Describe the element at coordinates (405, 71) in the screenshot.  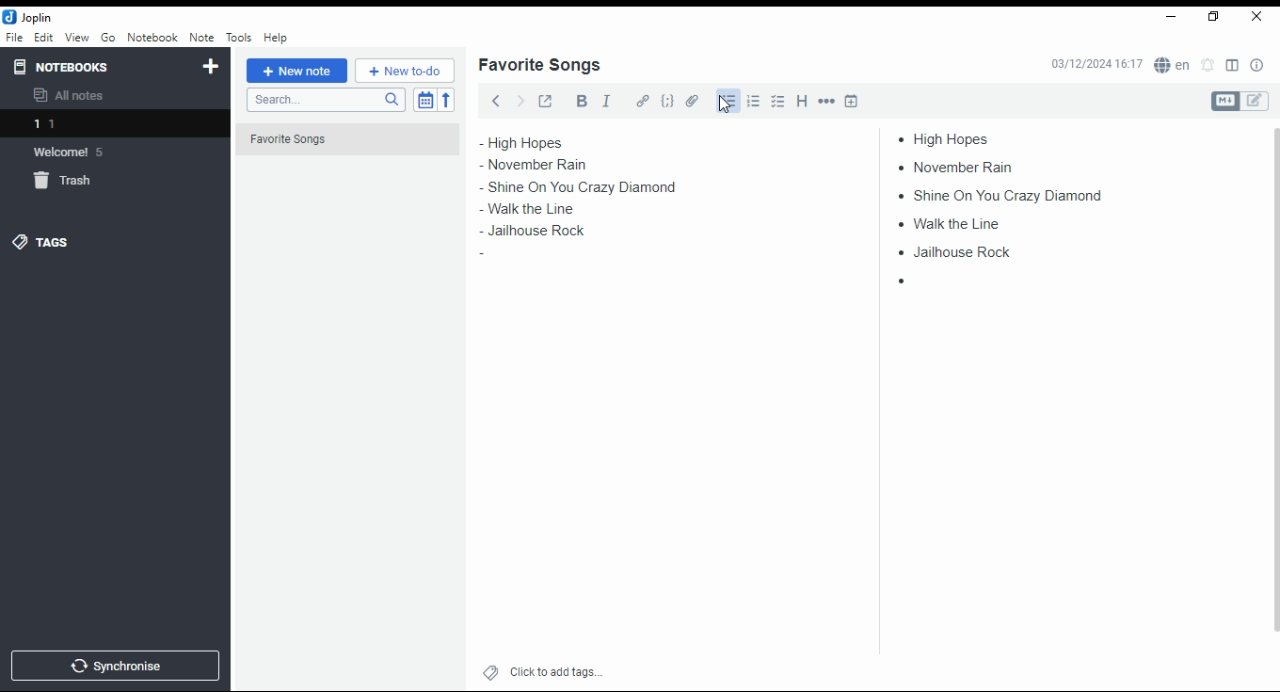
I see `New to-do` at that location.